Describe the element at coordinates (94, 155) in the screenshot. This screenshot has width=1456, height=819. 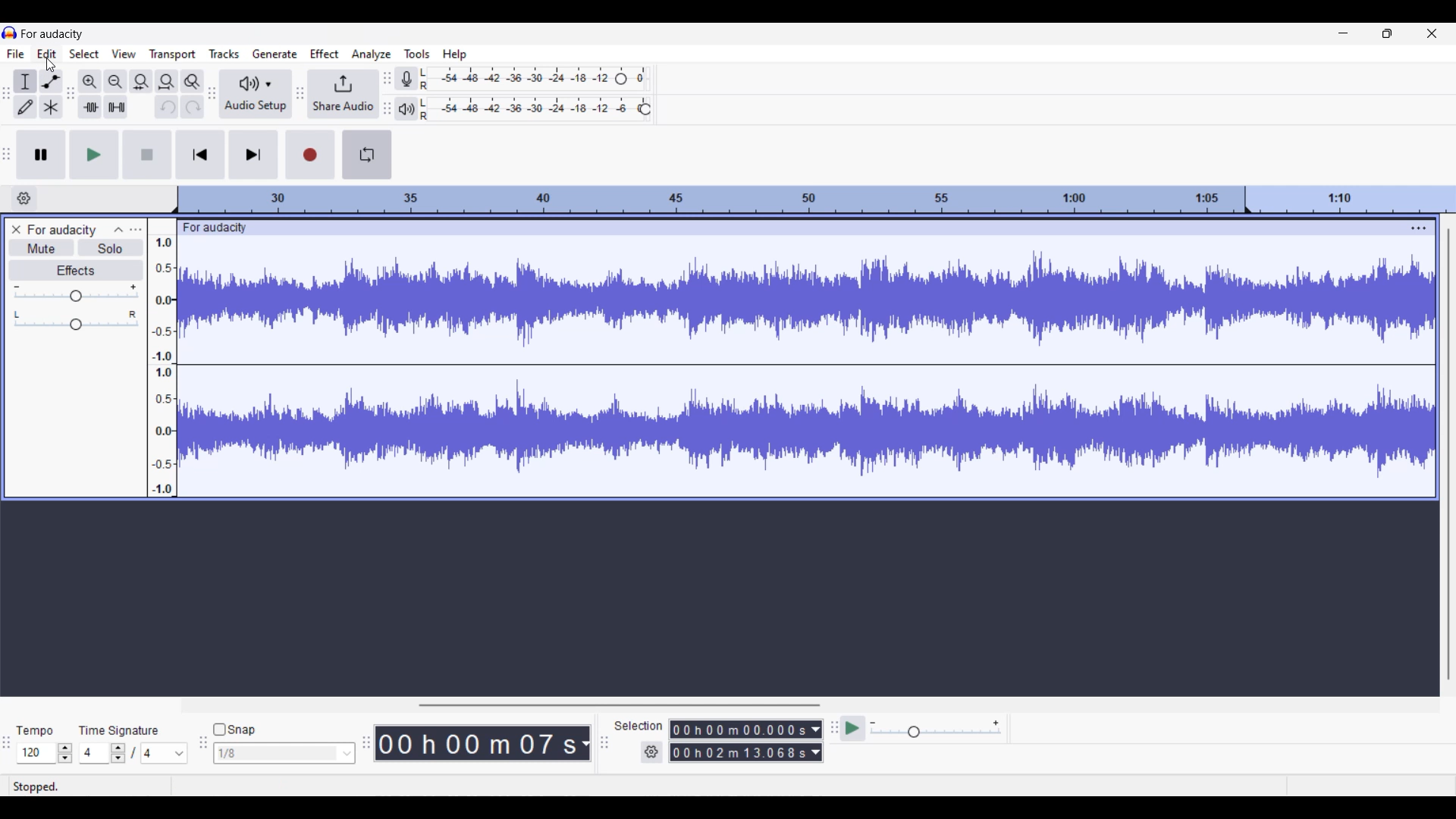
I see `Play/Play once` at that location.